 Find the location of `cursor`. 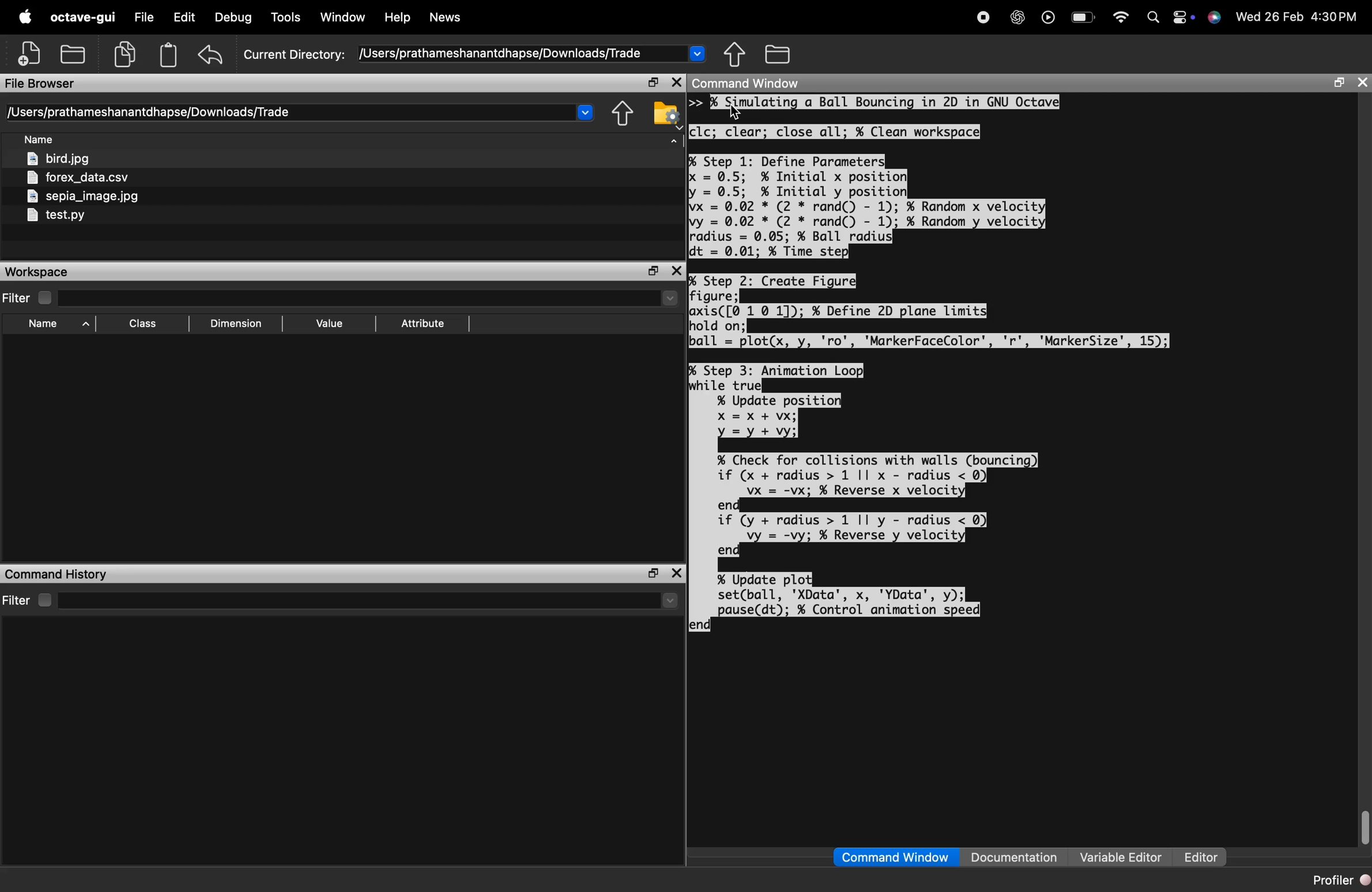

cursor is located at coordinates (736, 112).